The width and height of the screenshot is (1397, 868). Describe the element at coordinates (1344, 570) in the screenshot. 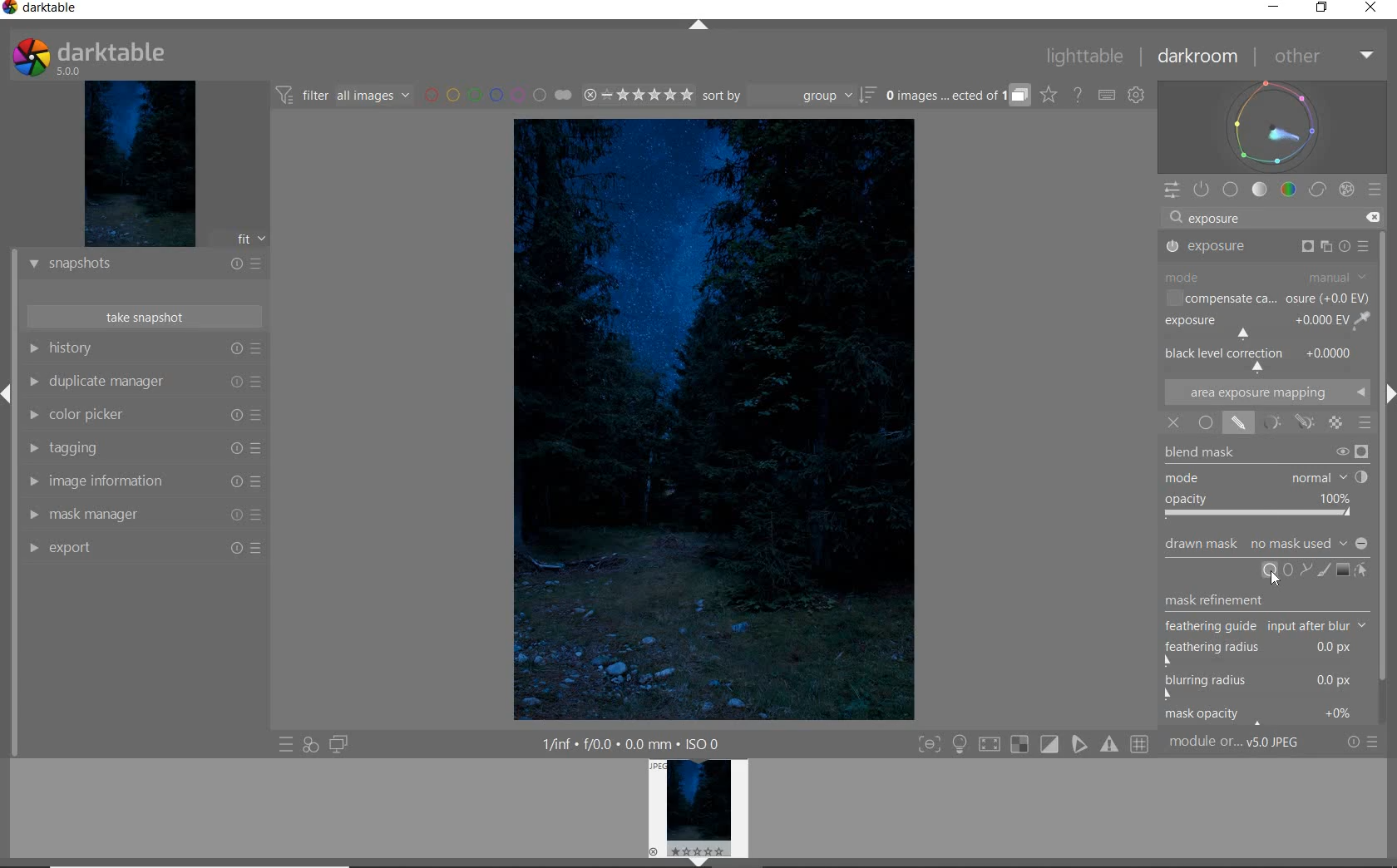

I see `ADD GRADIENT` at that location.